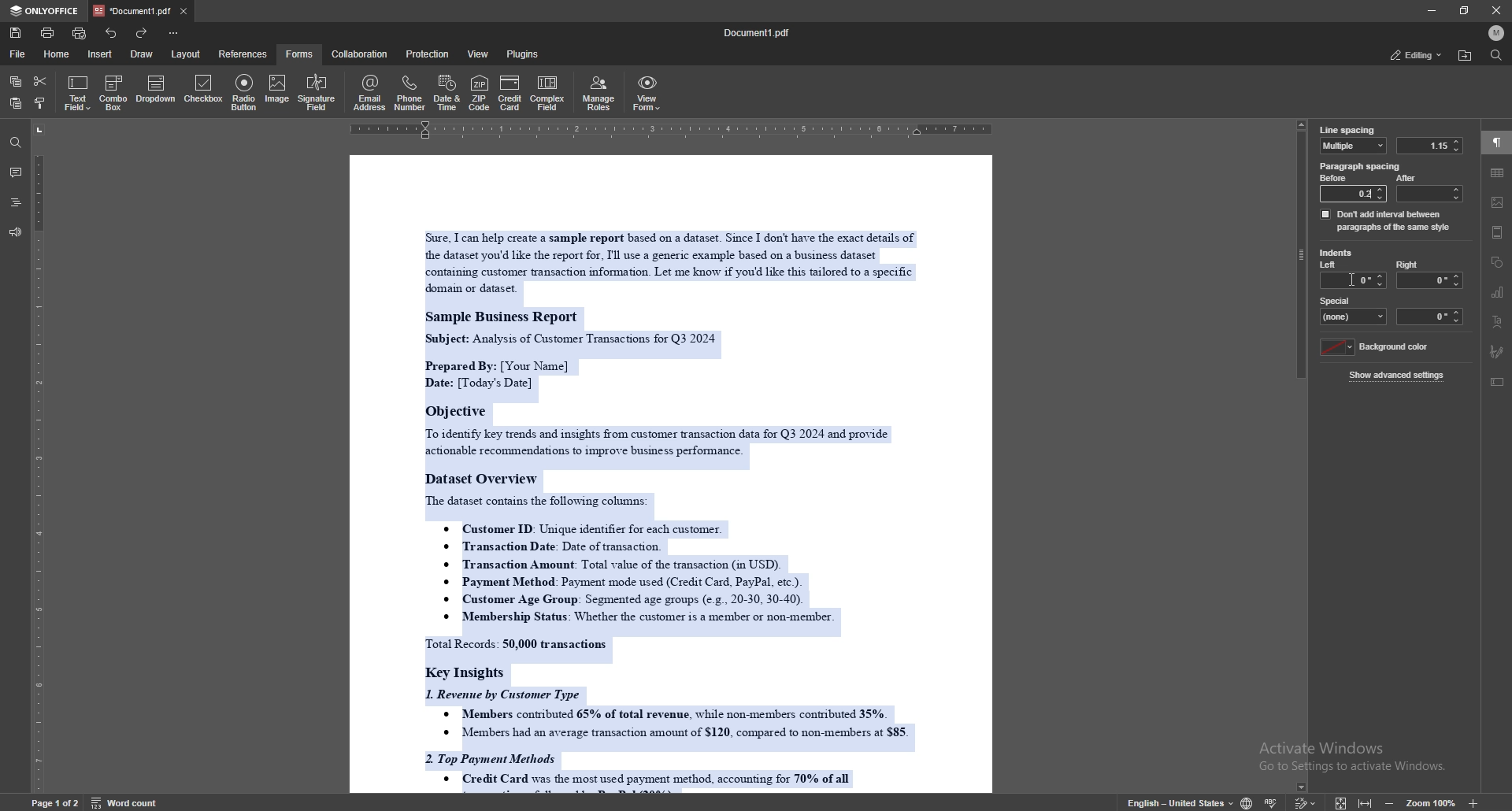 Image resolution: width=1512 pixels, height=811 pixels. I want to click on paste, so click(14, 104).